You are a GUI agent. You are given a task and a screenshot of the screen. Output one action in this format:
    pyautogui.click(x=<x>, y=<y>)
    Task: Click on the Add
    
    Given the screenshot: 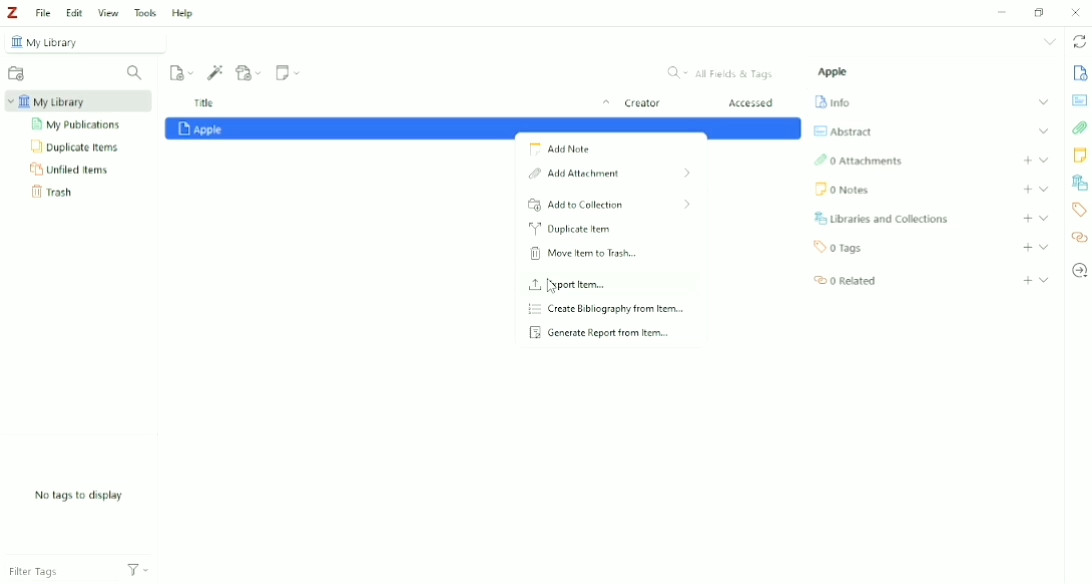 What is the action you would take?
    pyautogui.click(x=1027, y=248)
    